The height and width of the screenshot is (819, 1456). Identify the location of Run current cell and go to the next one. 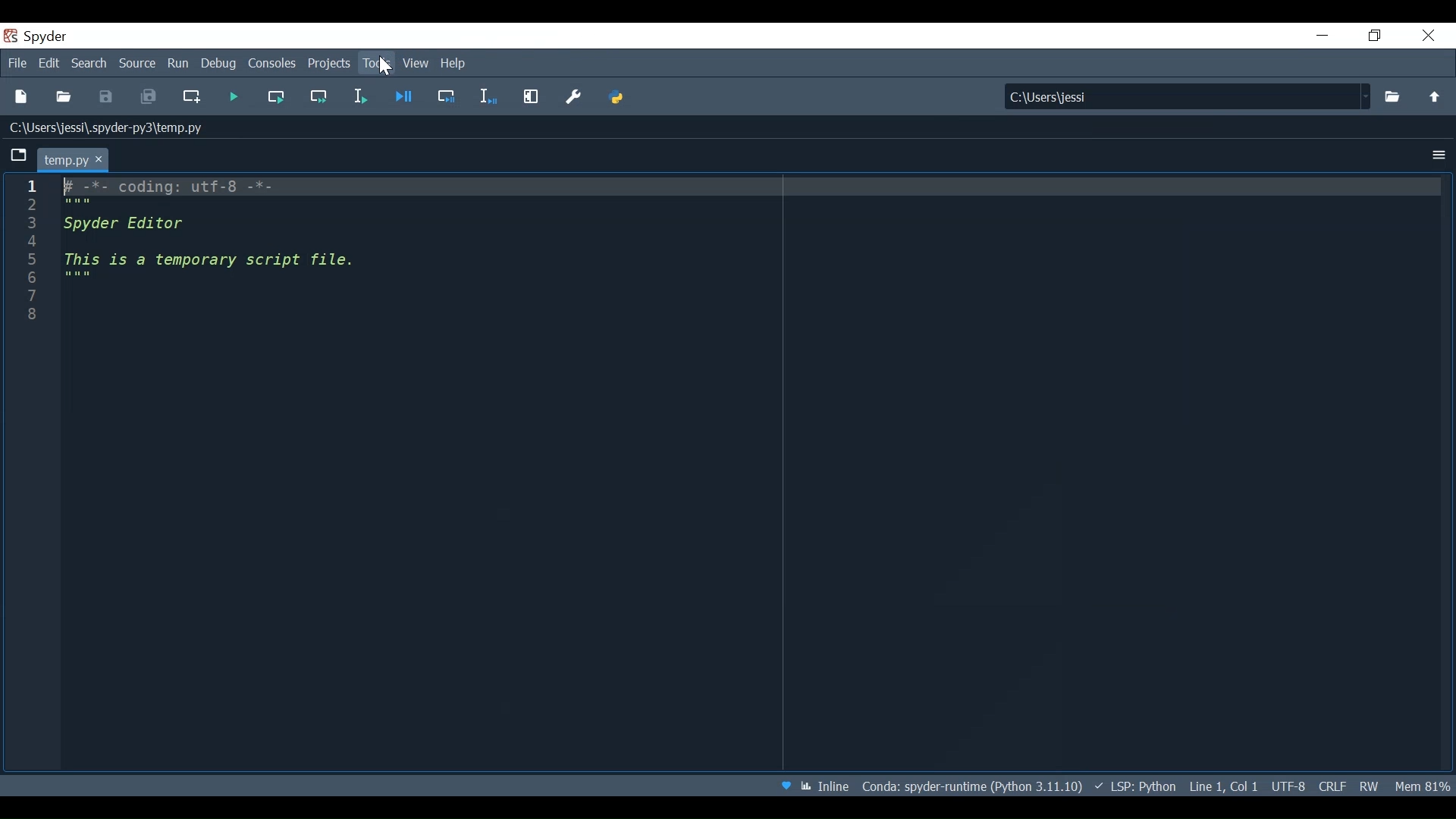
(320, 97).